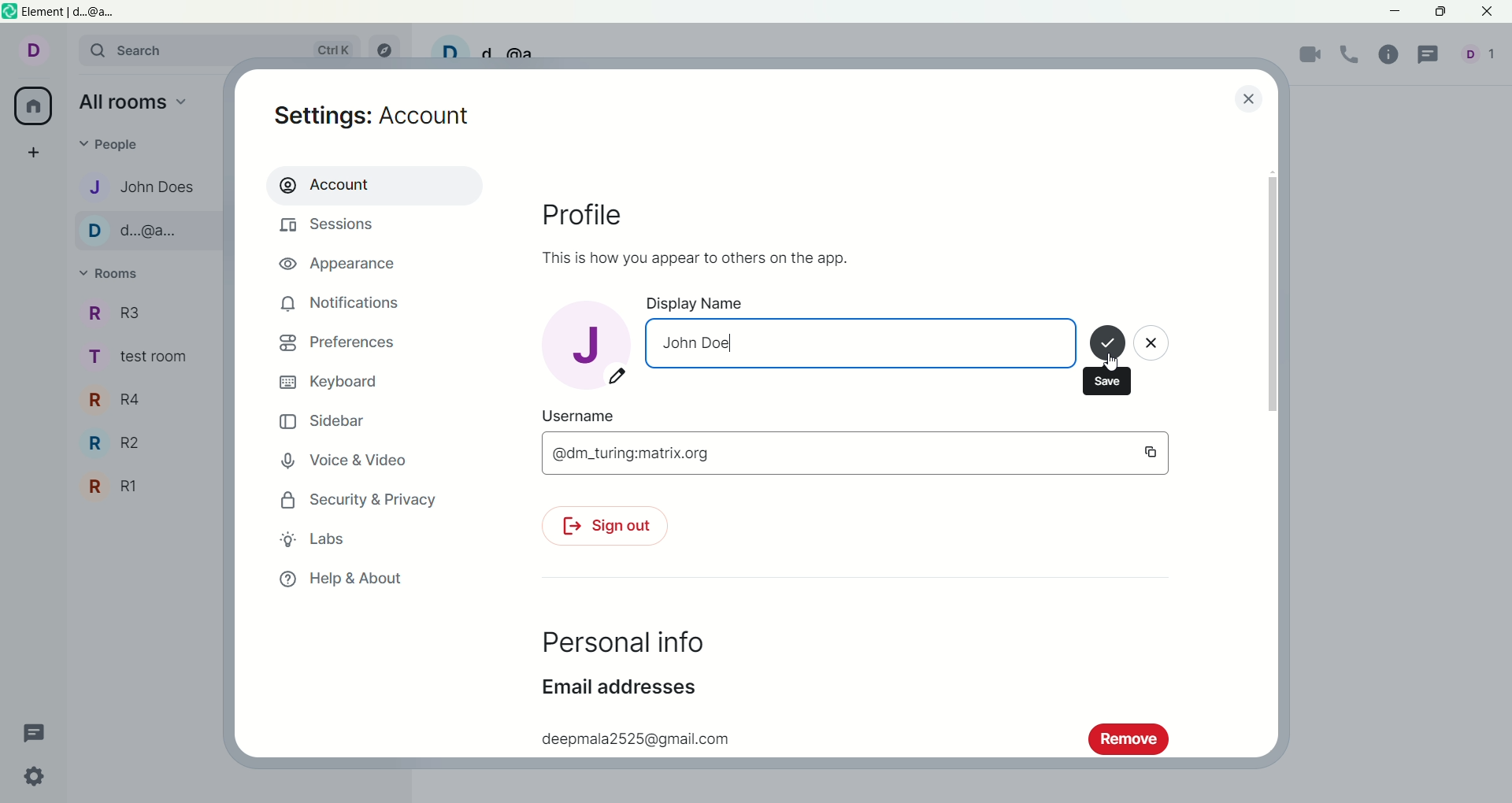 This screenshot has height=803, width=1512. I want to click on sessions, so click(332, 228).